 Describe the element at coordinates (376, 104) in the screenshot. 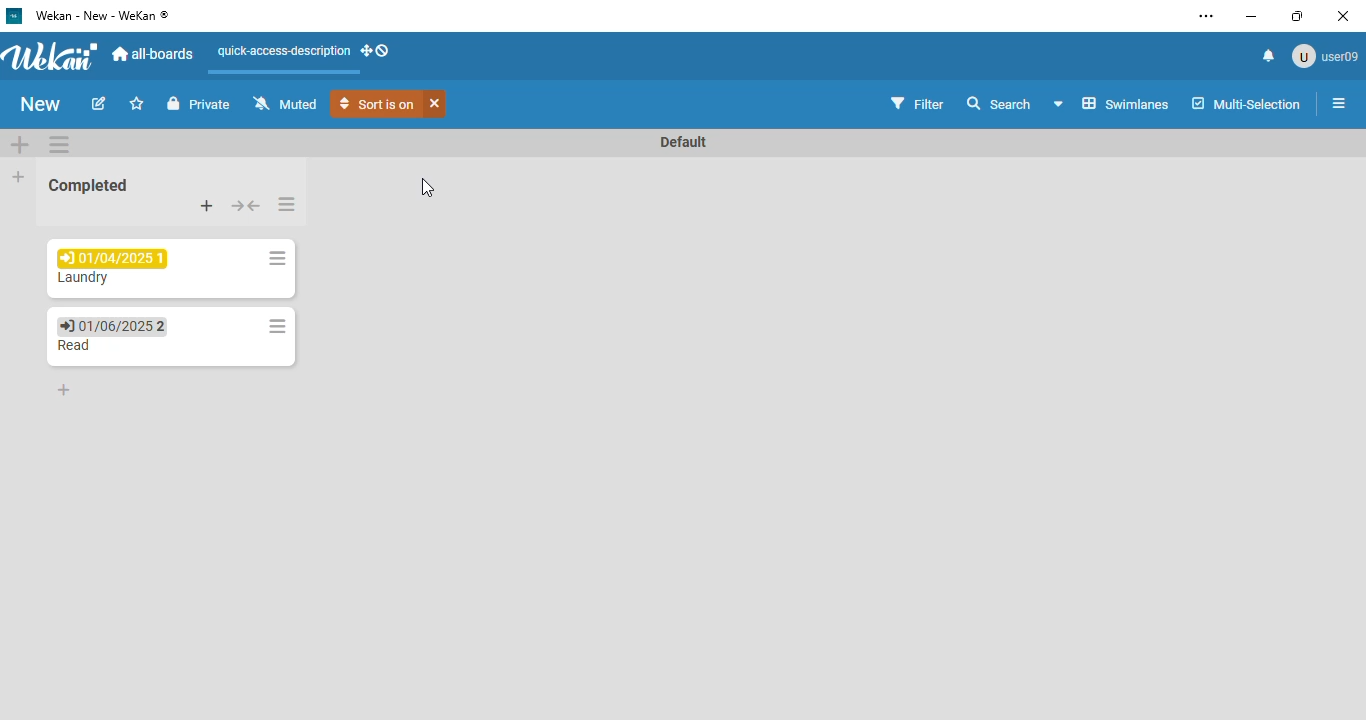

I see `sort is on` at that location.